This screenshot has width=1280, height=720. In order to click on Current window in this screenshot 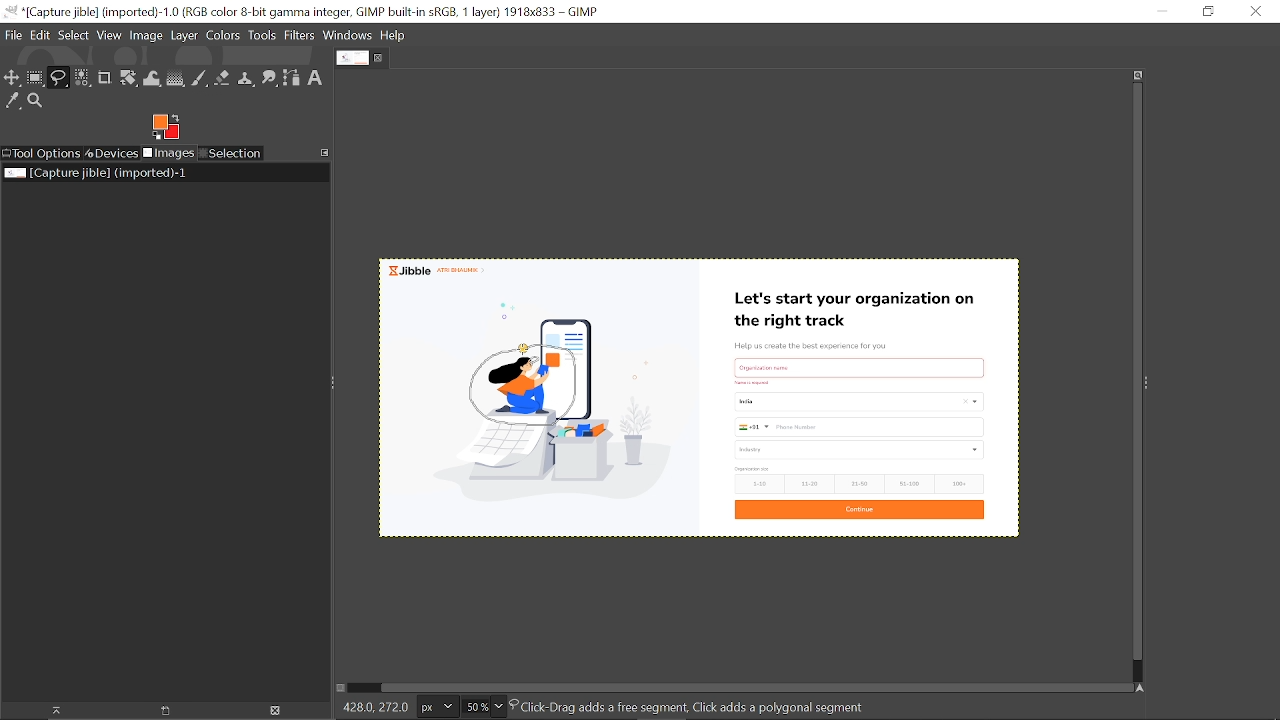, I will do `click(304, 12)`.